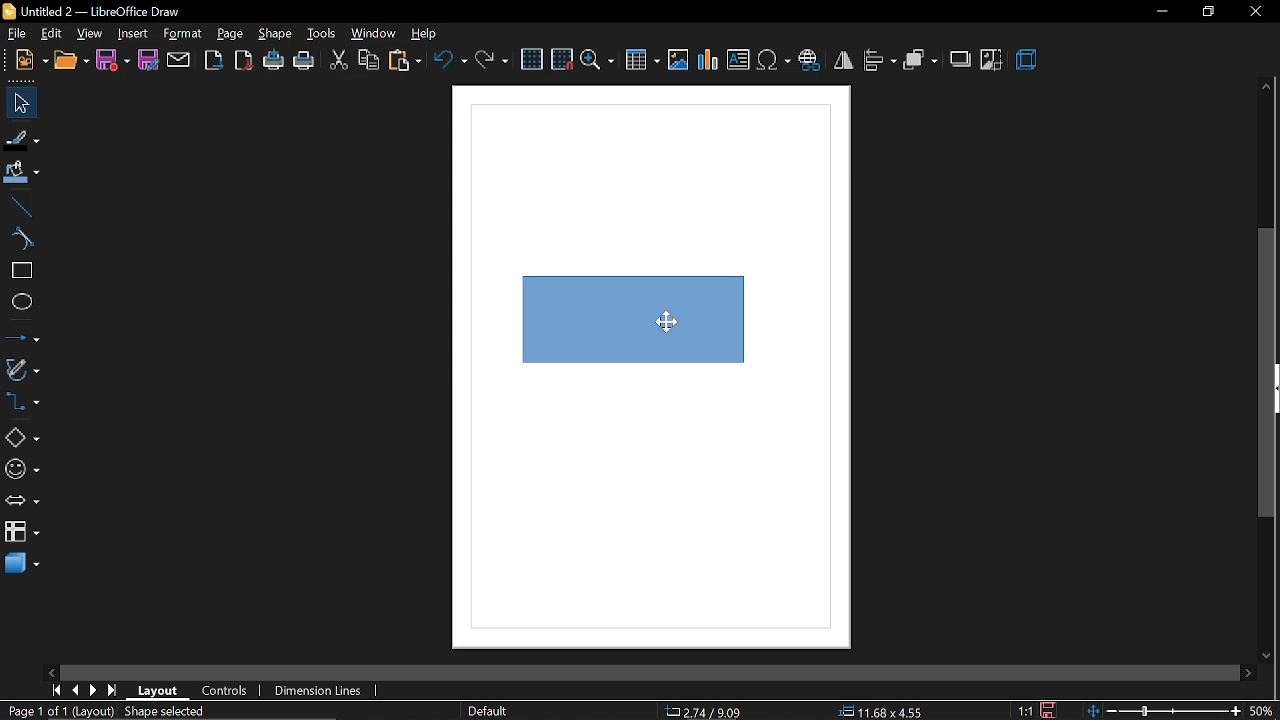 The width and height of the screenshot is (1280, 720). I want to click on fill line, so click(22, 138).